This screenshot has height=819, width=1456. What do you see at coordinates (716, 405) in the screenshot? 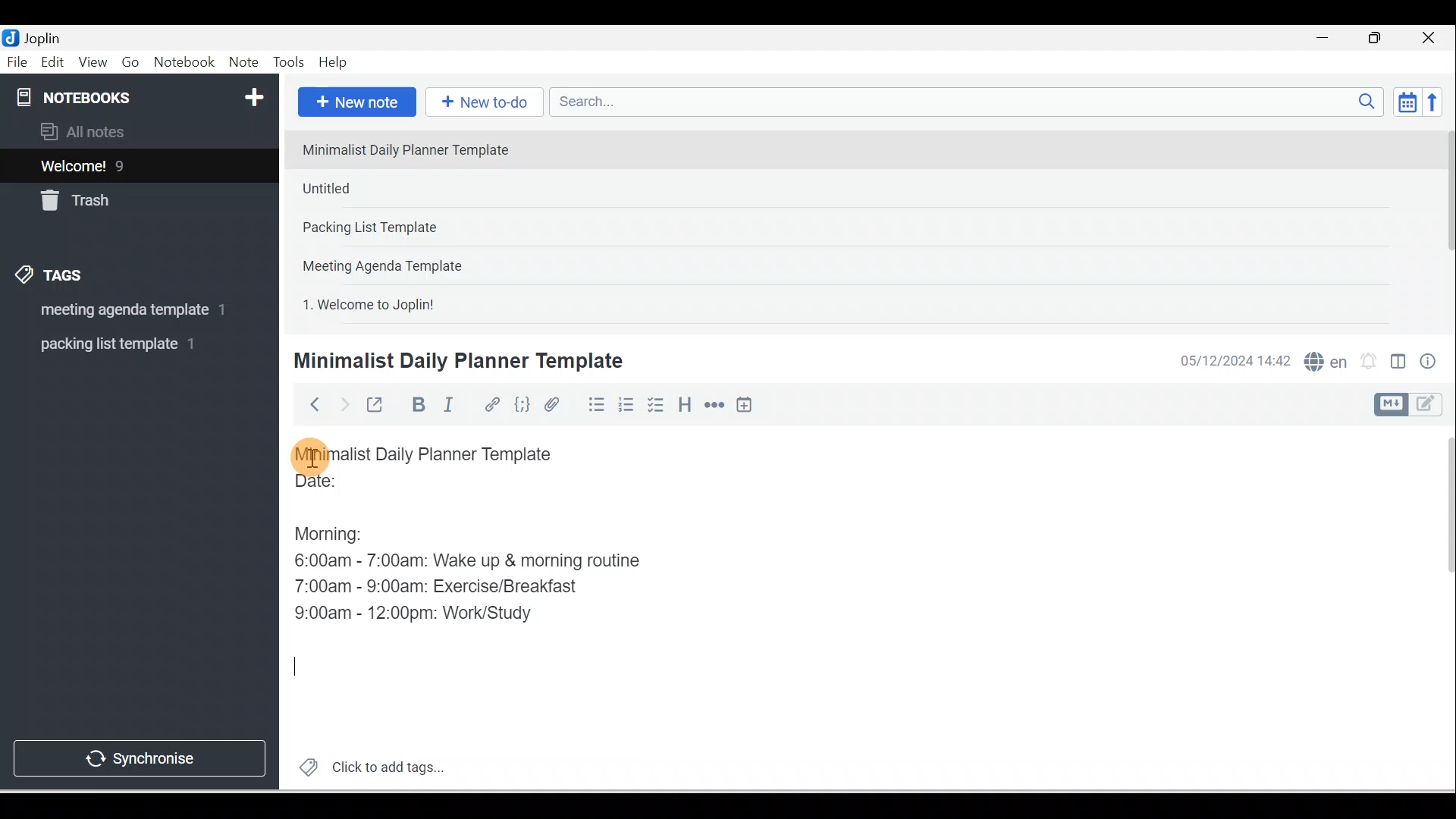
I see `Horizontal rule` at bounding box center [716, 405].